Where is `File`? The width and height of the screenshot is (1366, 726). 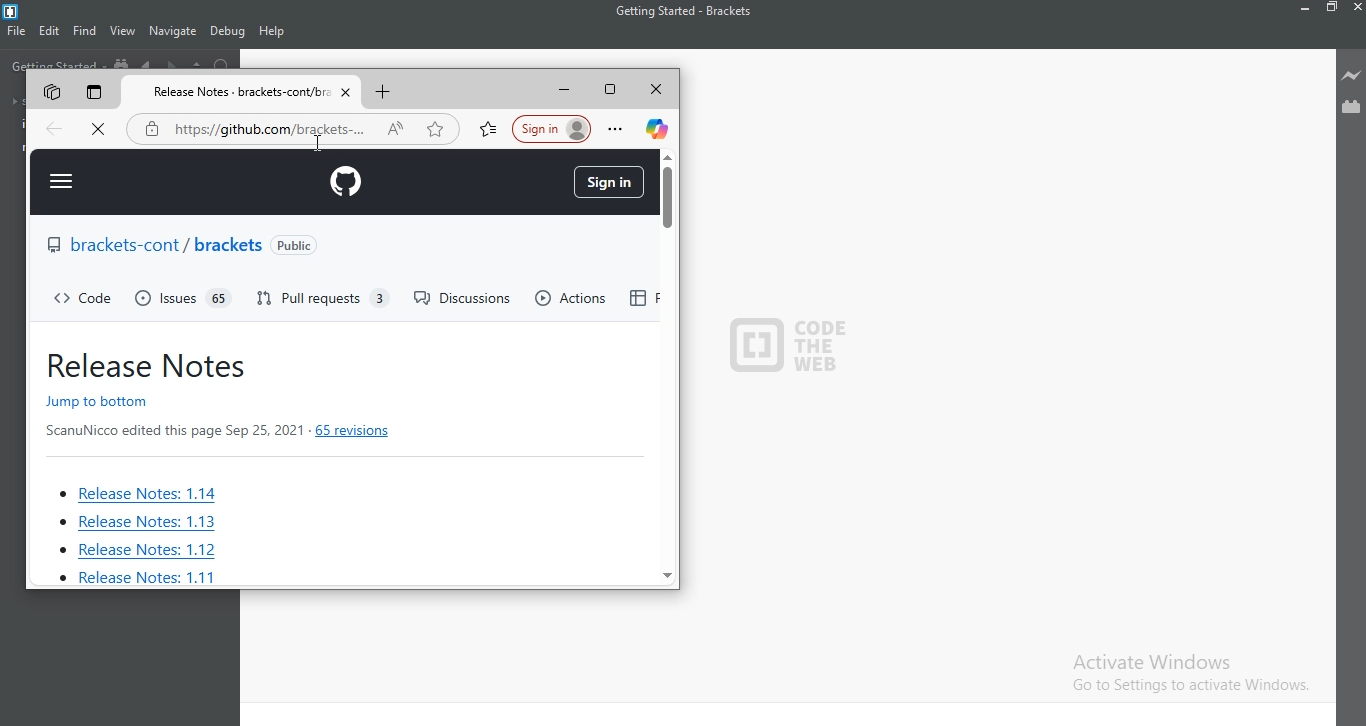
File is located at coordinates (15, 32).